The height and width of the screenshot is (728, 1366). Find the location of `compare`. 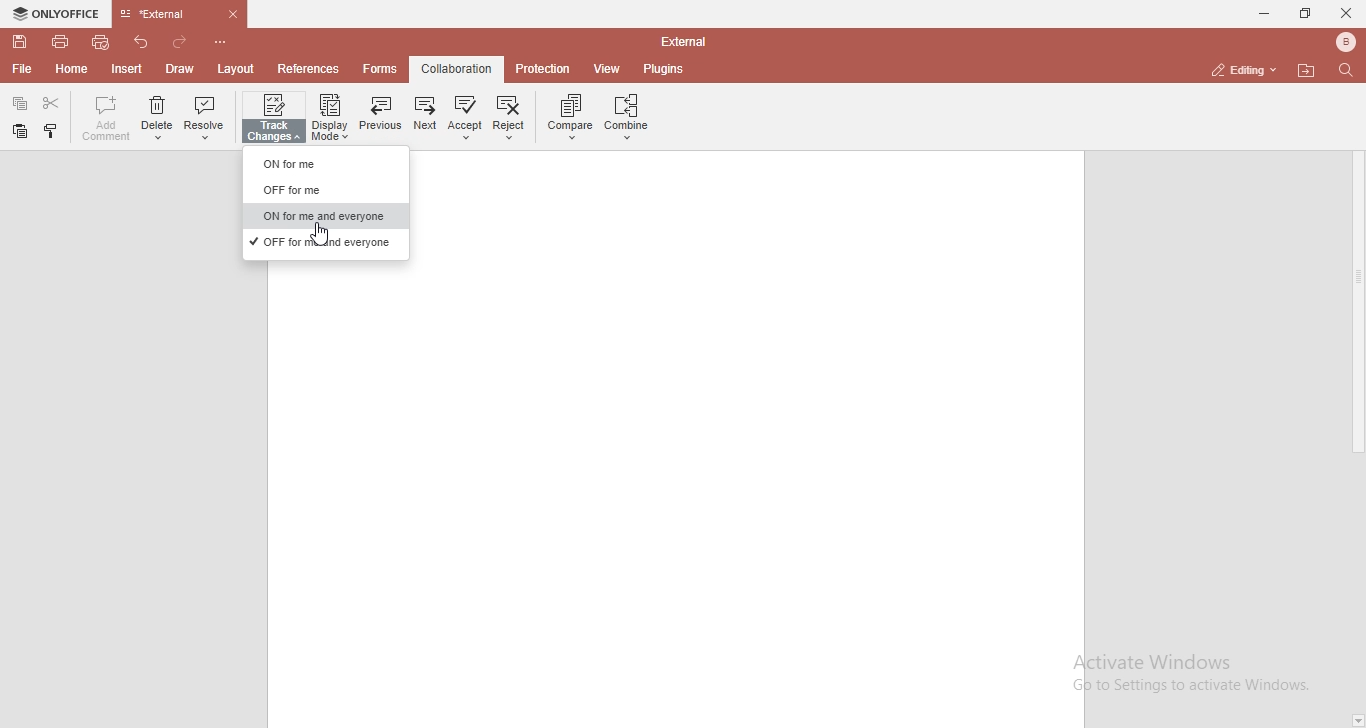

compare is located at coordinates (567, 116).